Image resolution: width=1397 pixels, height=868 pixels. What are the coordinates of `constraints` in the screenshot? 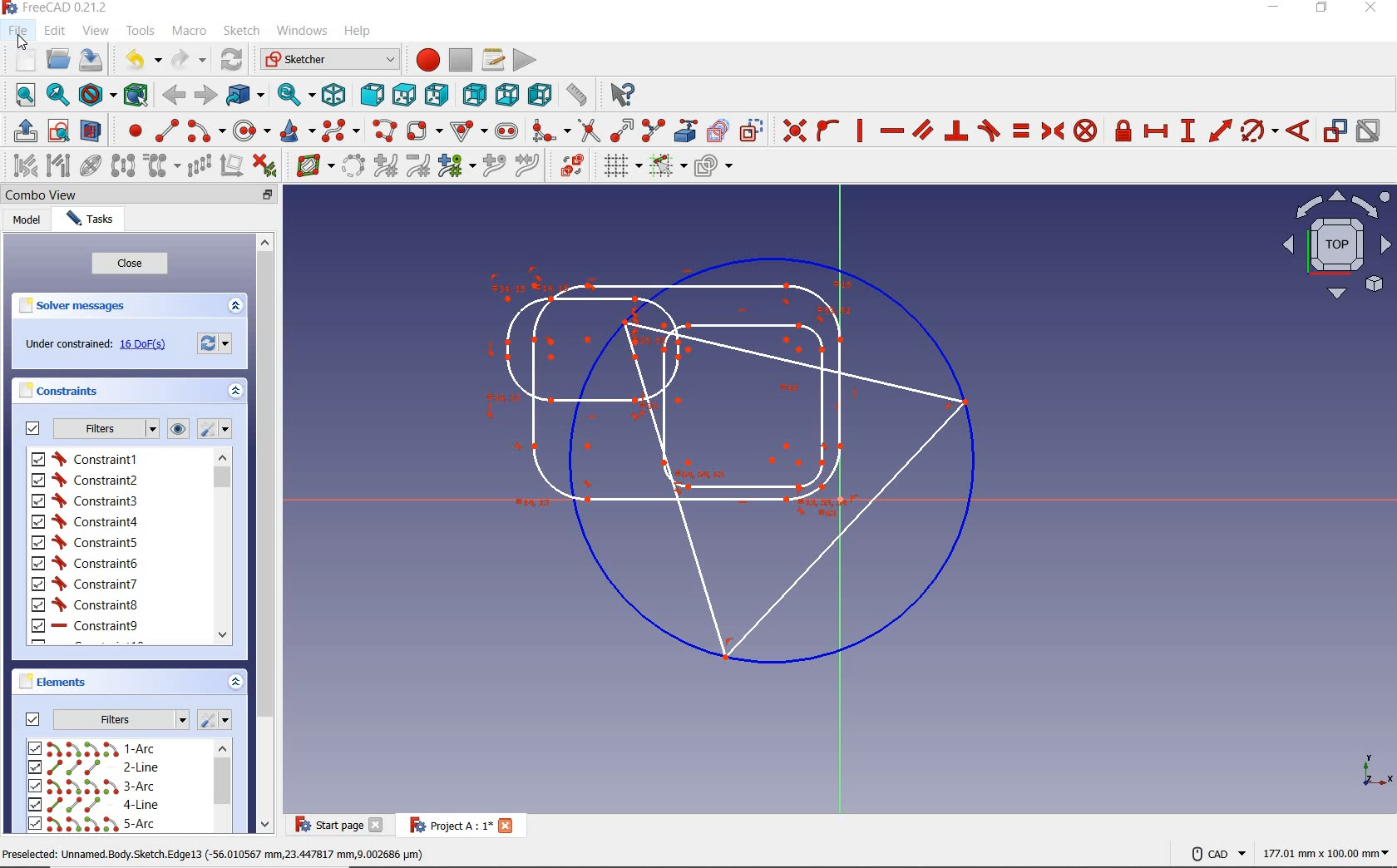 It's located at (97, 391).